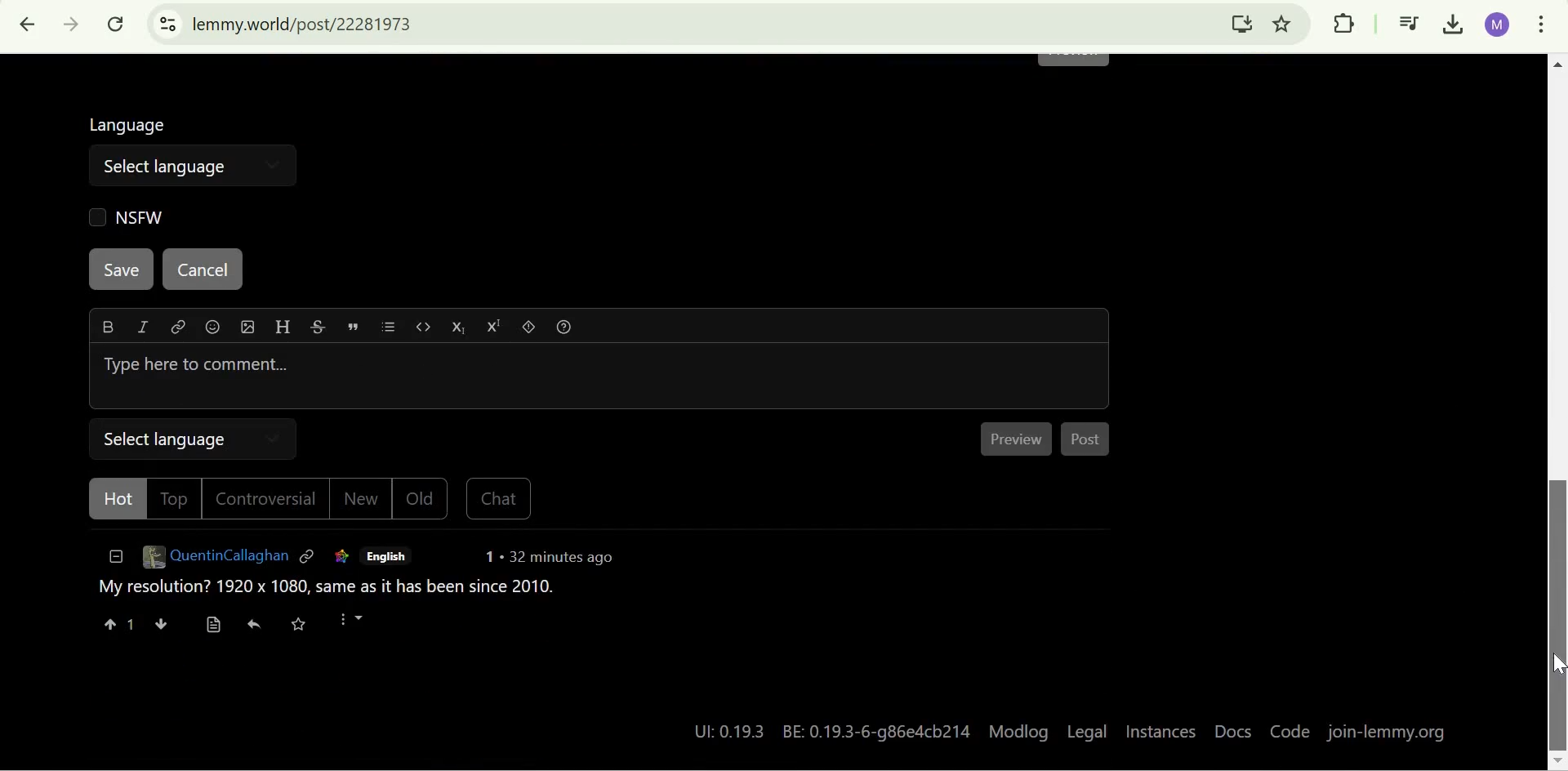 Image resolution: width=1568 pixels, height=771 pixels. What do you see at coordinates (532, 329) in the screenshot?
I see `spoiler` at bounding box center [532, 329].